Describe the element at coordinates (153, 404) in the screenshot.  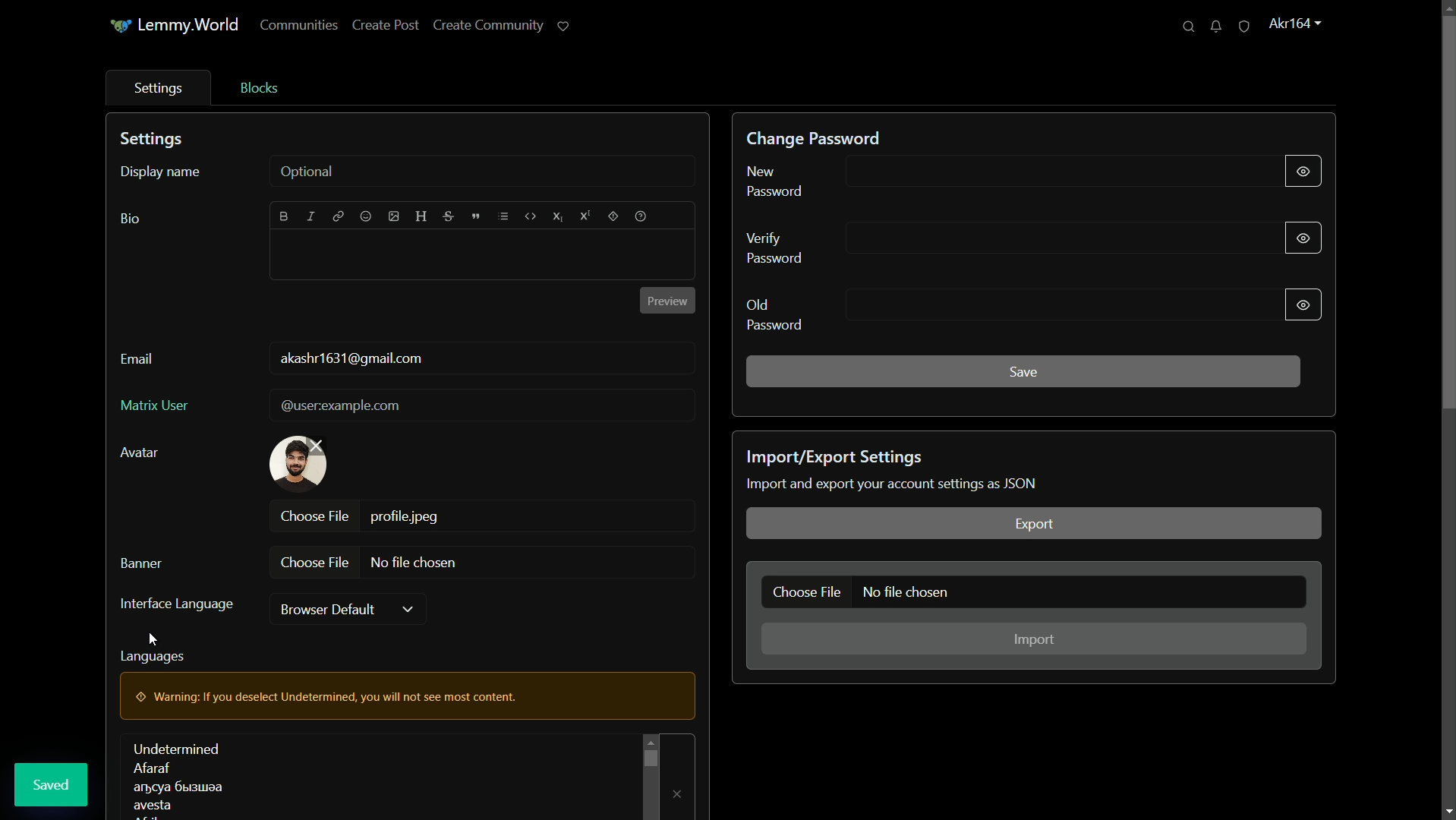
I see `matrix user` at that location.